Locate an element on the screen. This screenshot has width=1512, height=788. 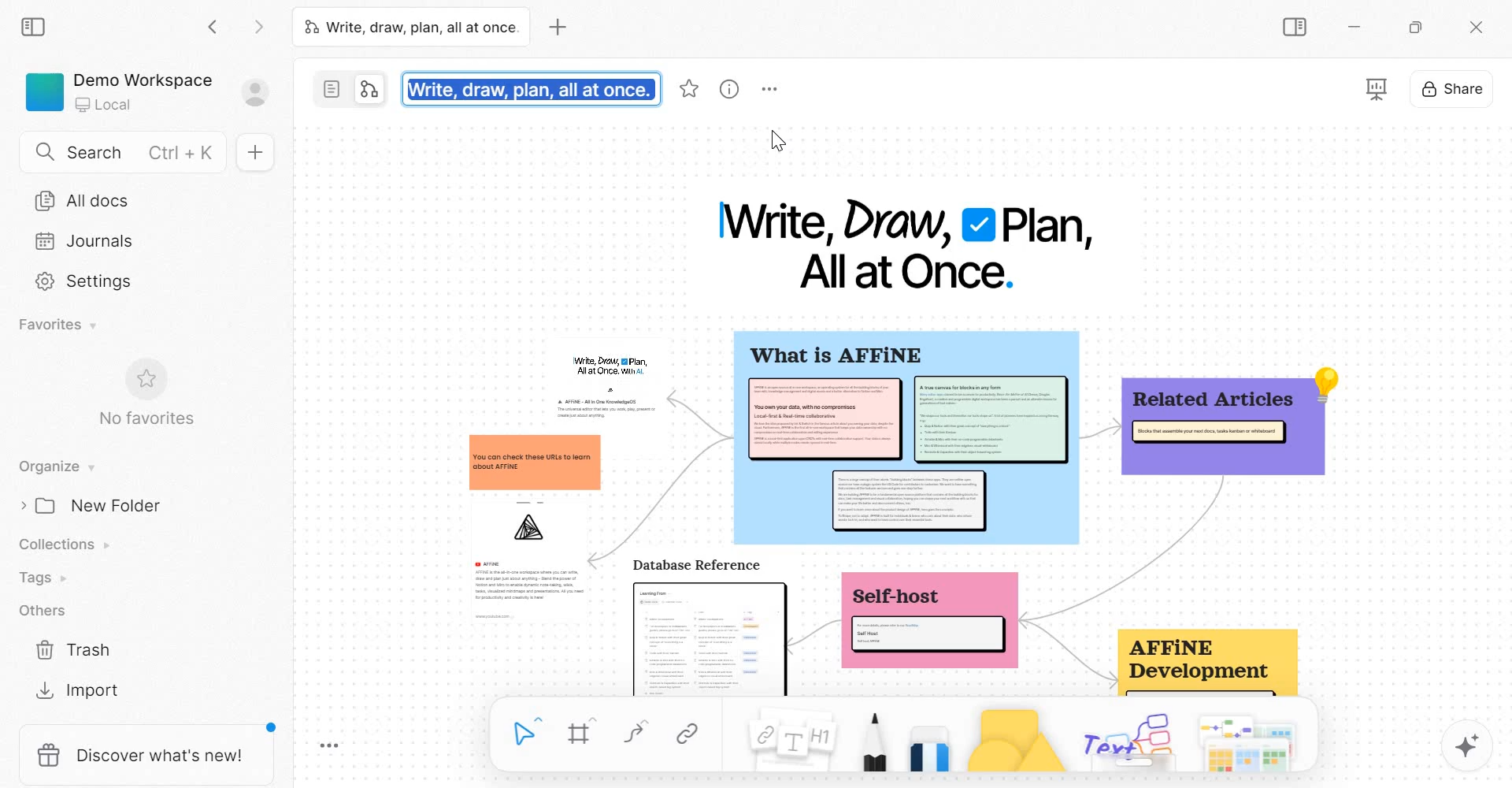
presentation mode is located at coordinates (1378, 88).